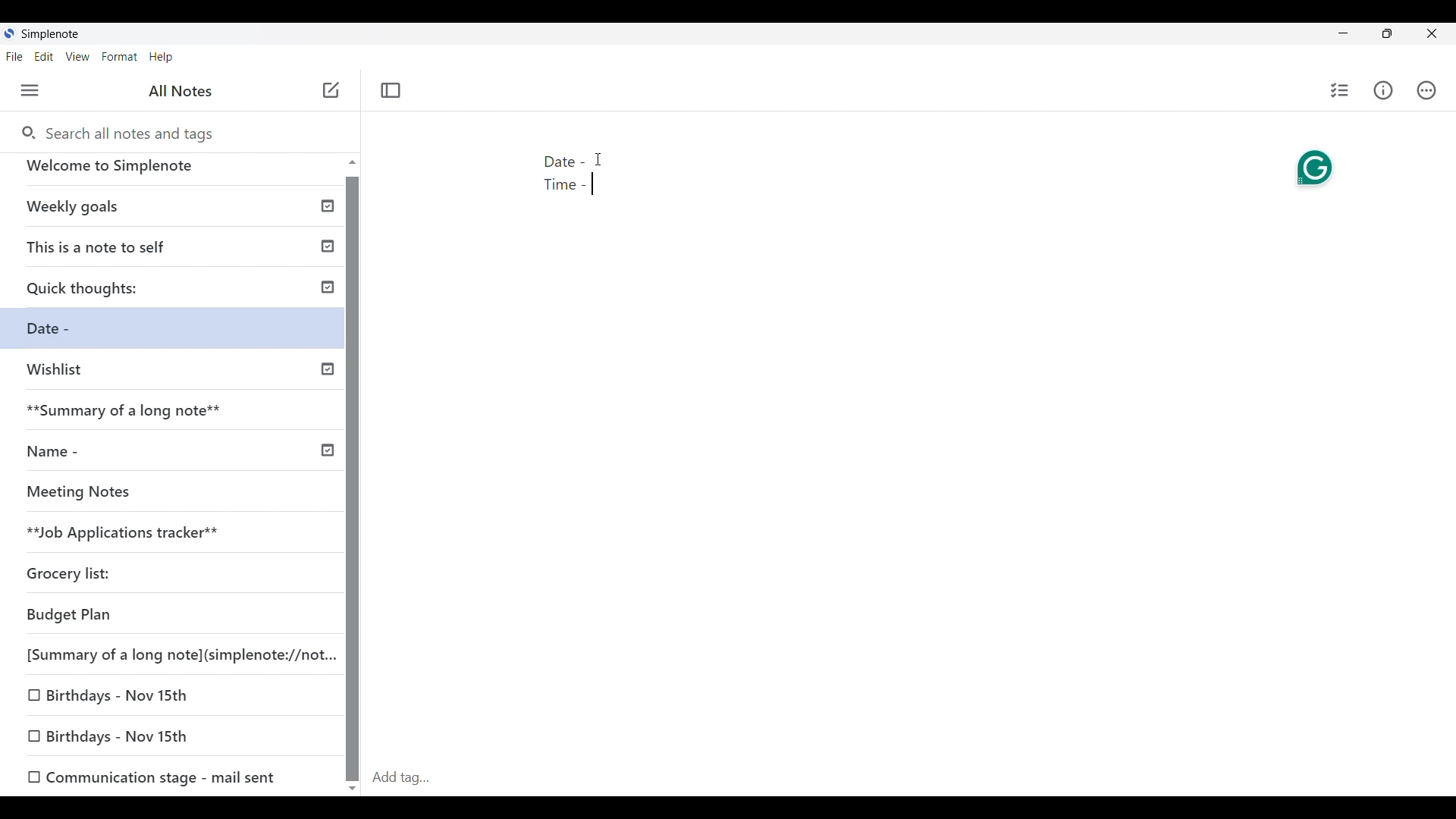 The height and width of the screenshot is (819, 1456). I want to click on Welcome note from software, current highlighted note, so click(173, 172).